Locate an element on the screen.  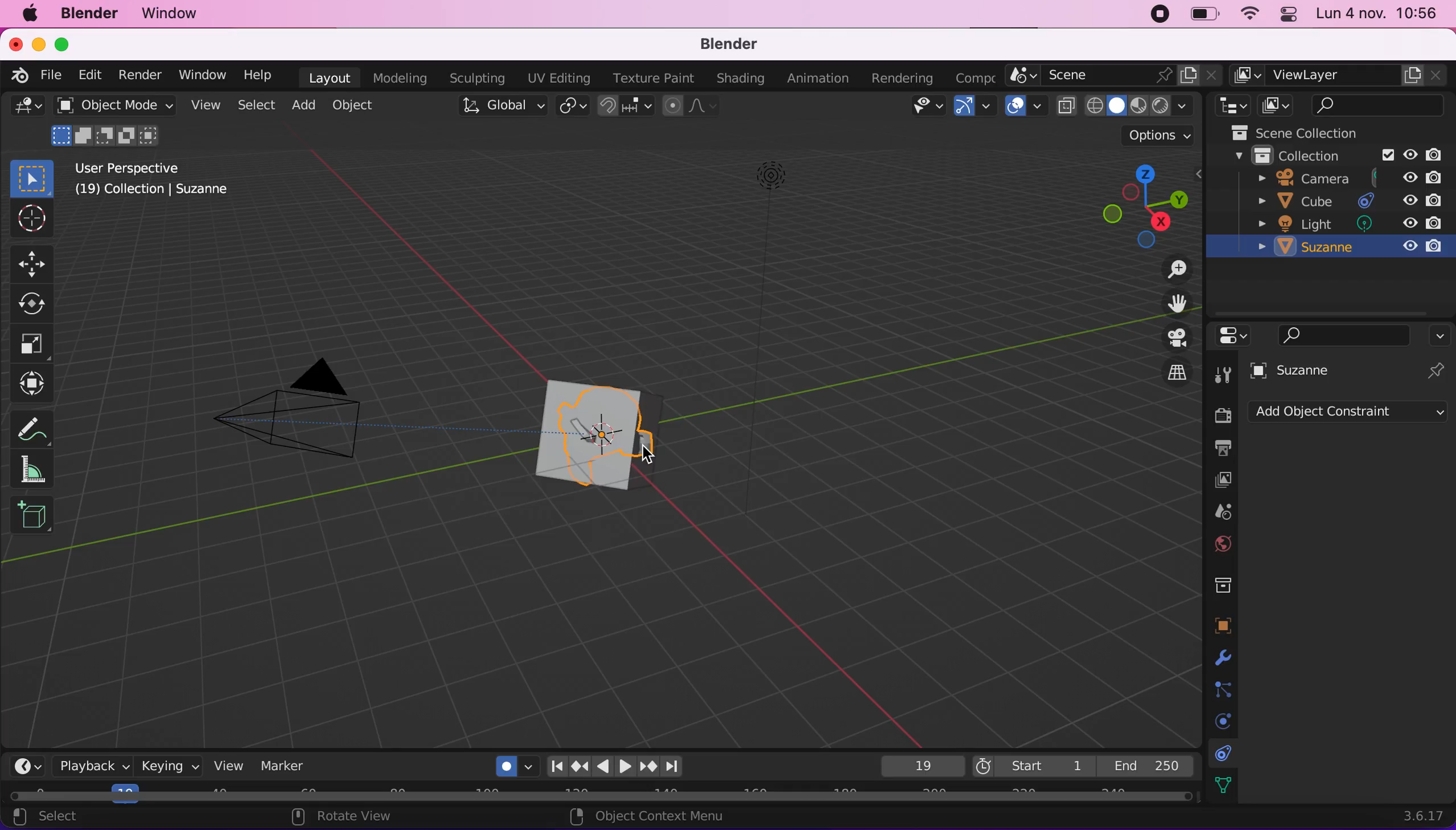
object context menu is located at coordinates (652, 816).